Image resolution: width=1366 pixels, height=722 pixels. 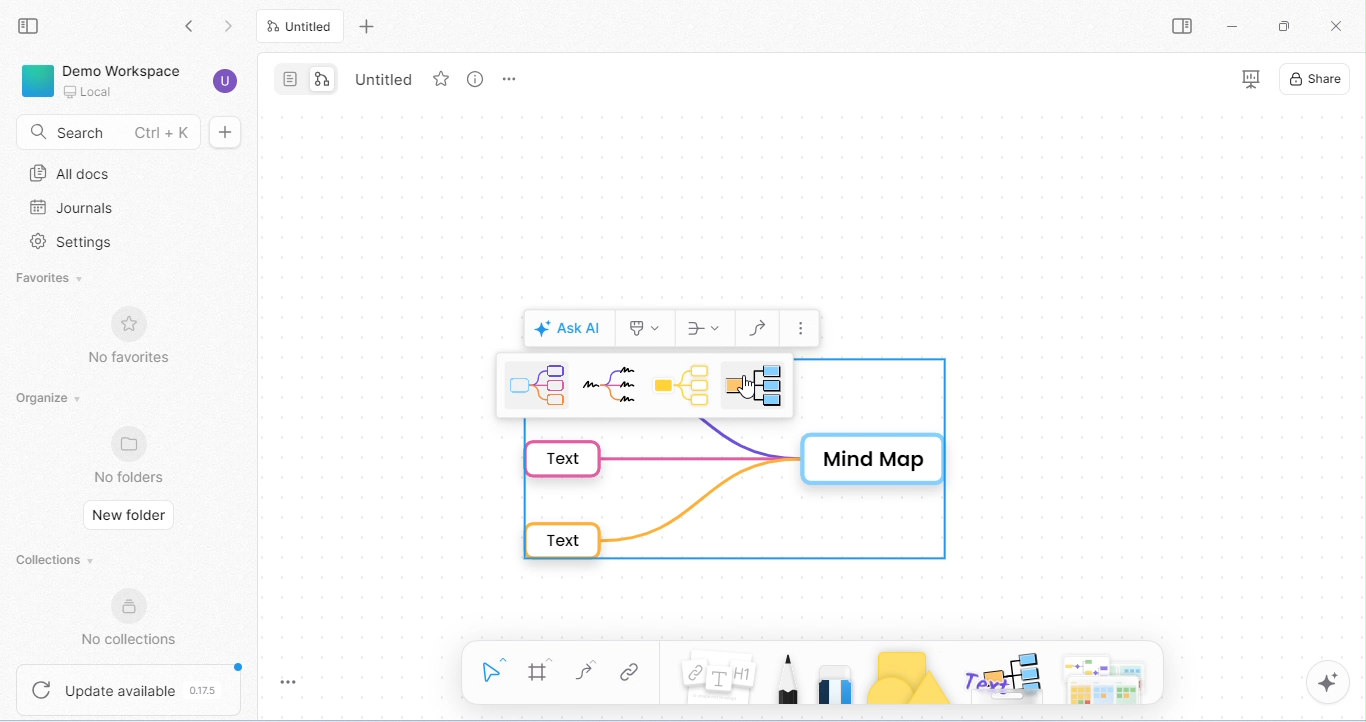 I want to click on shapes, so click(x=909, y=680).